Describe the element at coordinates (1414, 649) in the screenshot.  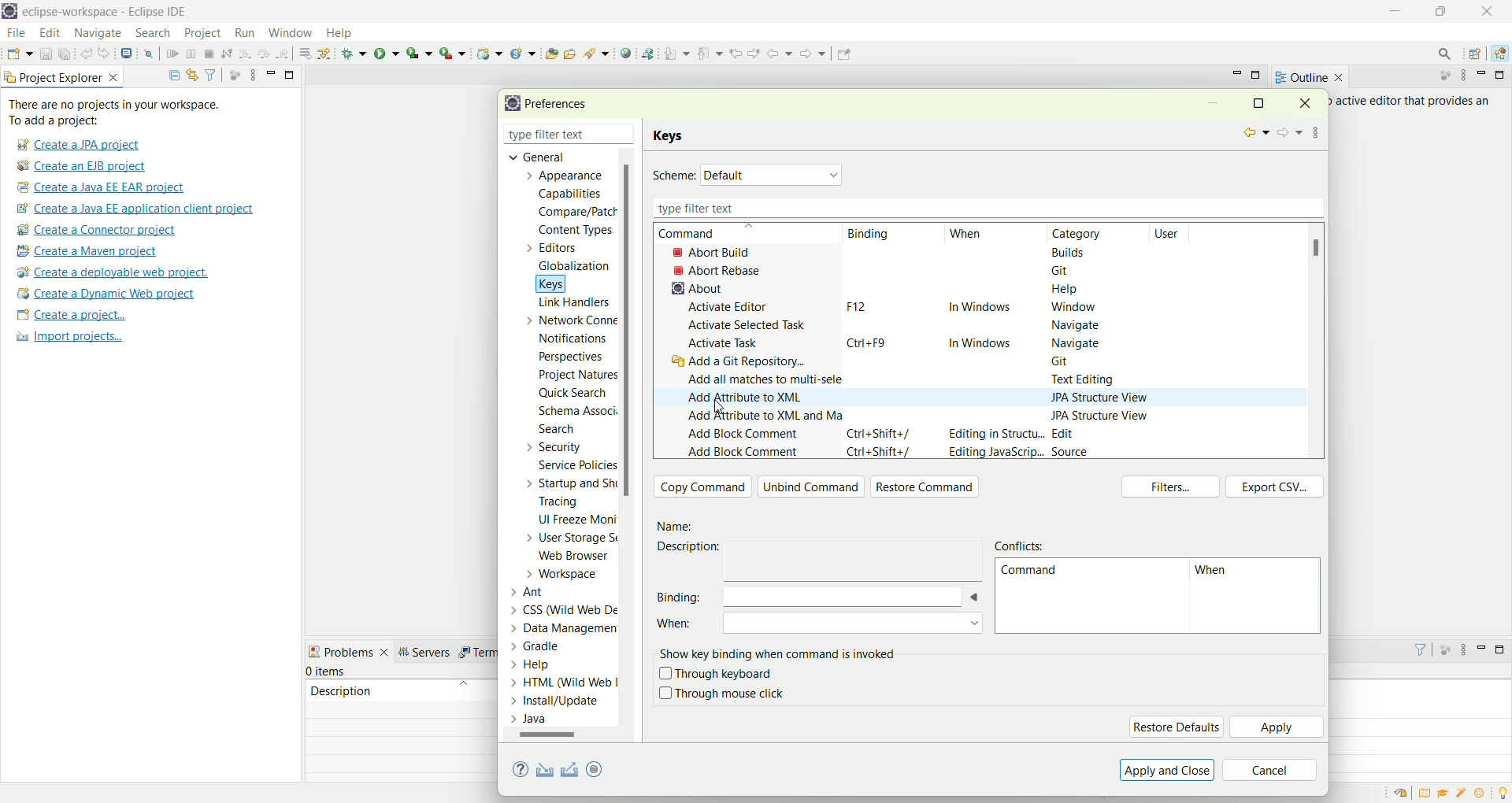
I see `filter` at that location.